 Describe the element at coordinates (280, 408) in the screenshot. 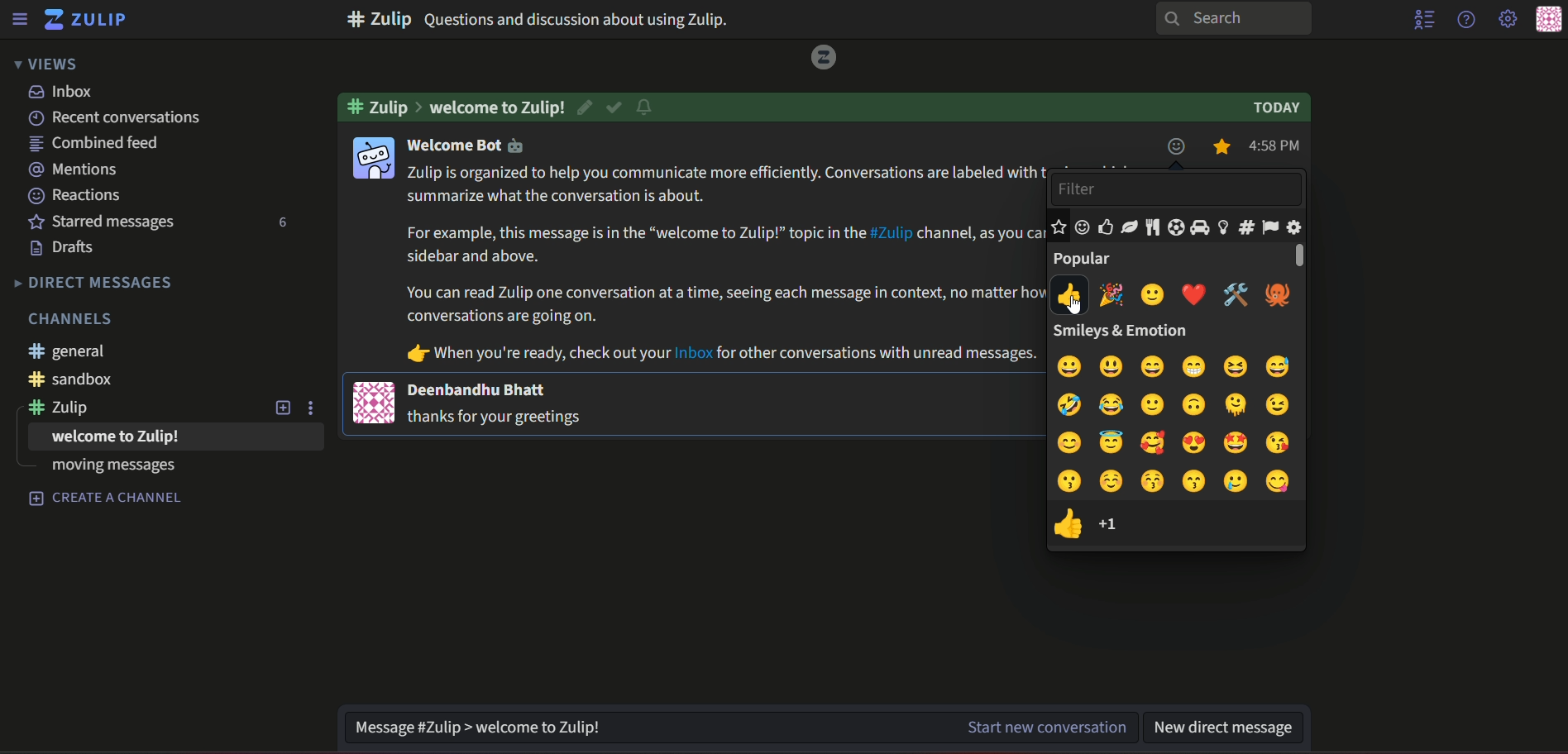

I see `Add` at that location.